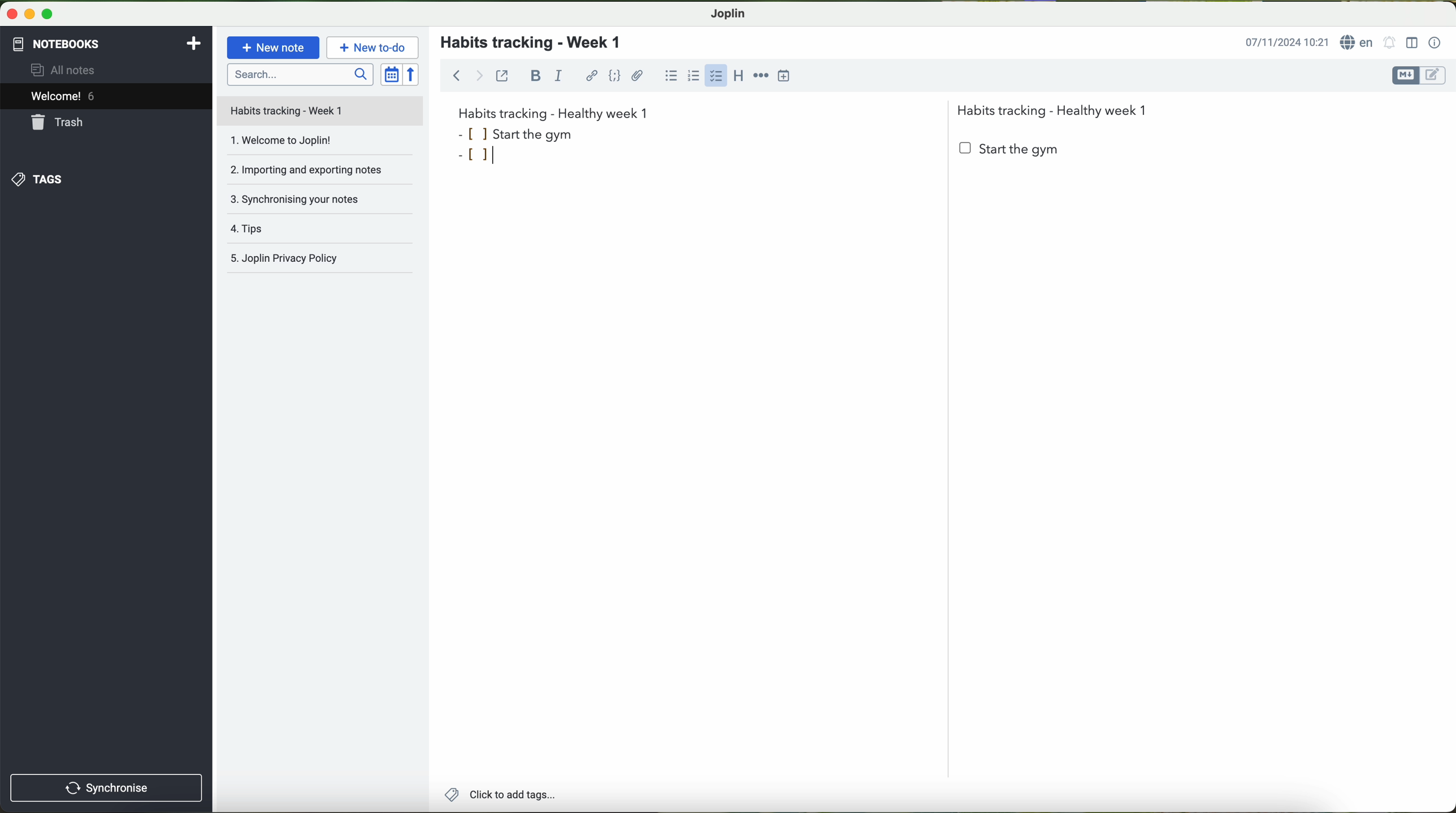 This screenshot has height=813, width=1456. I want to click on code, so click(616, 76).